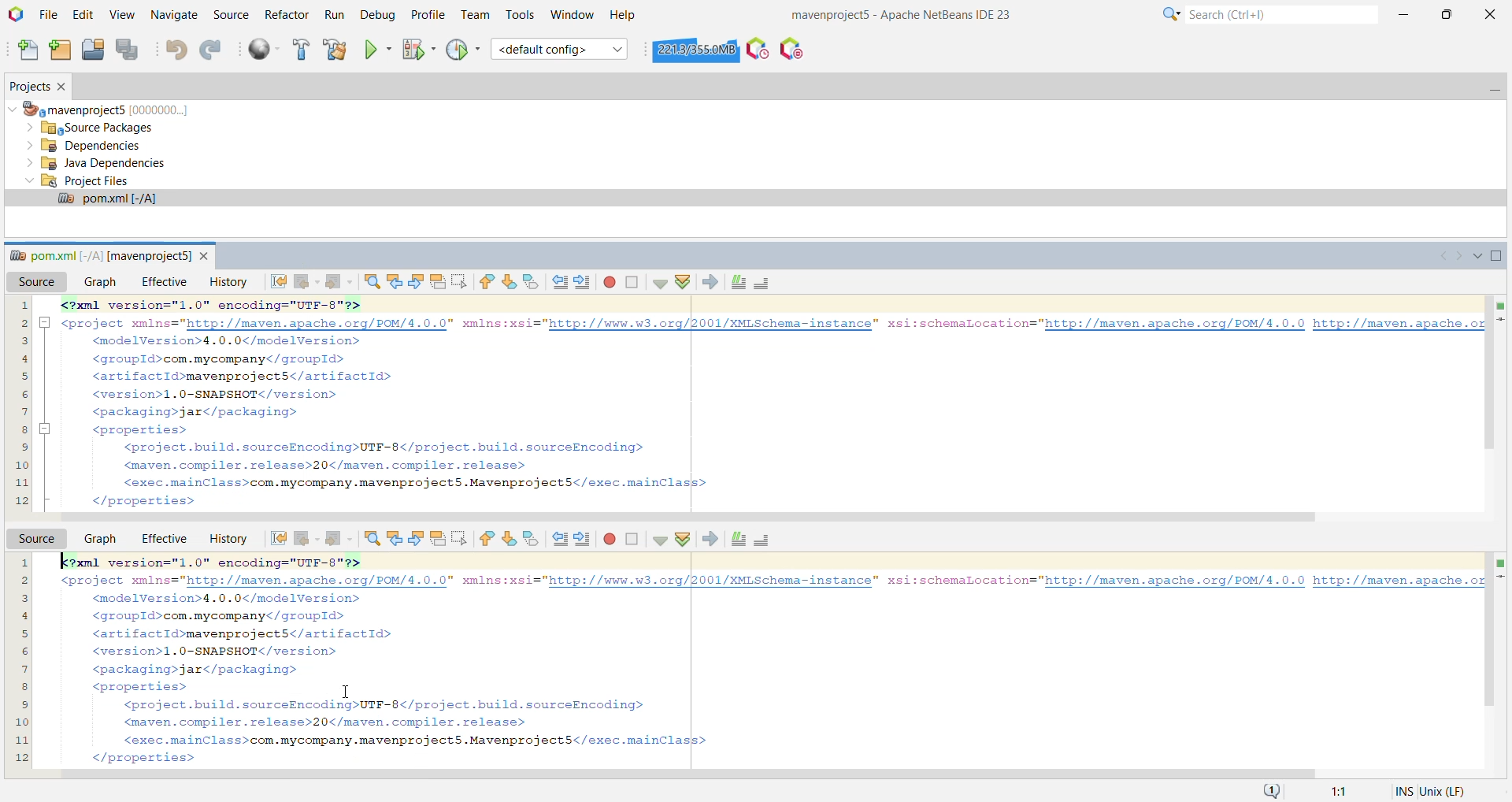 This screenshot has height=802, width=1512. I want to click on 10, so click(21, 462).